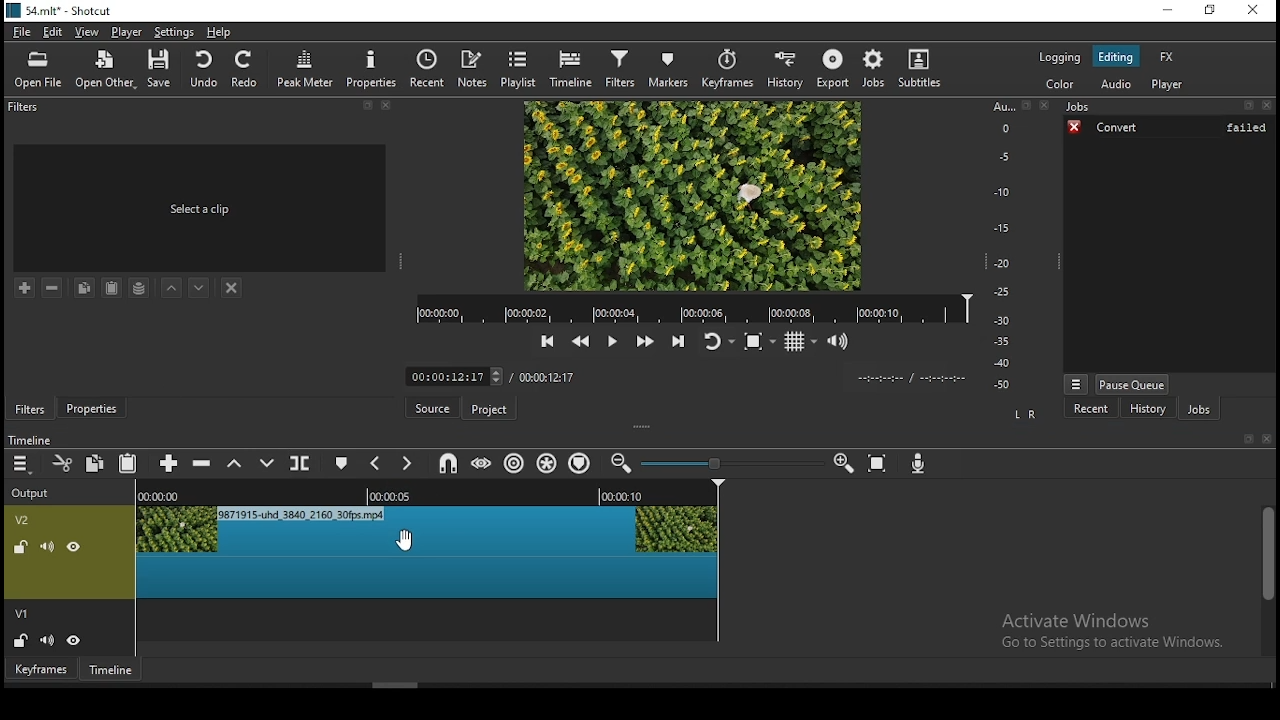 Image resolution: width=1280 pixels, height=720 pixels. I want to click on timeline, so click(573, 70).